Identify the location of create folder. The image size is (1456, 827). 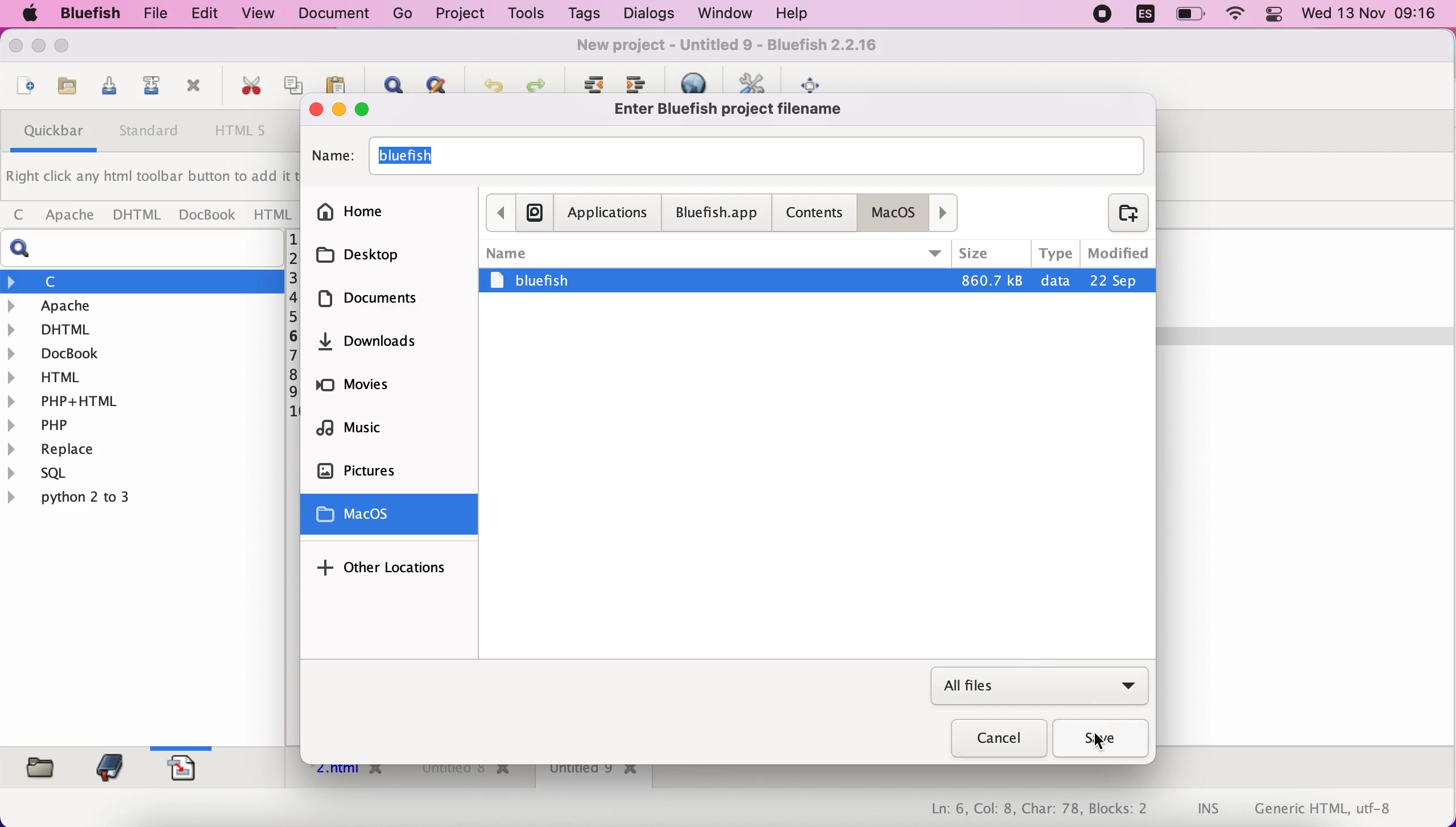
(1121, 213).